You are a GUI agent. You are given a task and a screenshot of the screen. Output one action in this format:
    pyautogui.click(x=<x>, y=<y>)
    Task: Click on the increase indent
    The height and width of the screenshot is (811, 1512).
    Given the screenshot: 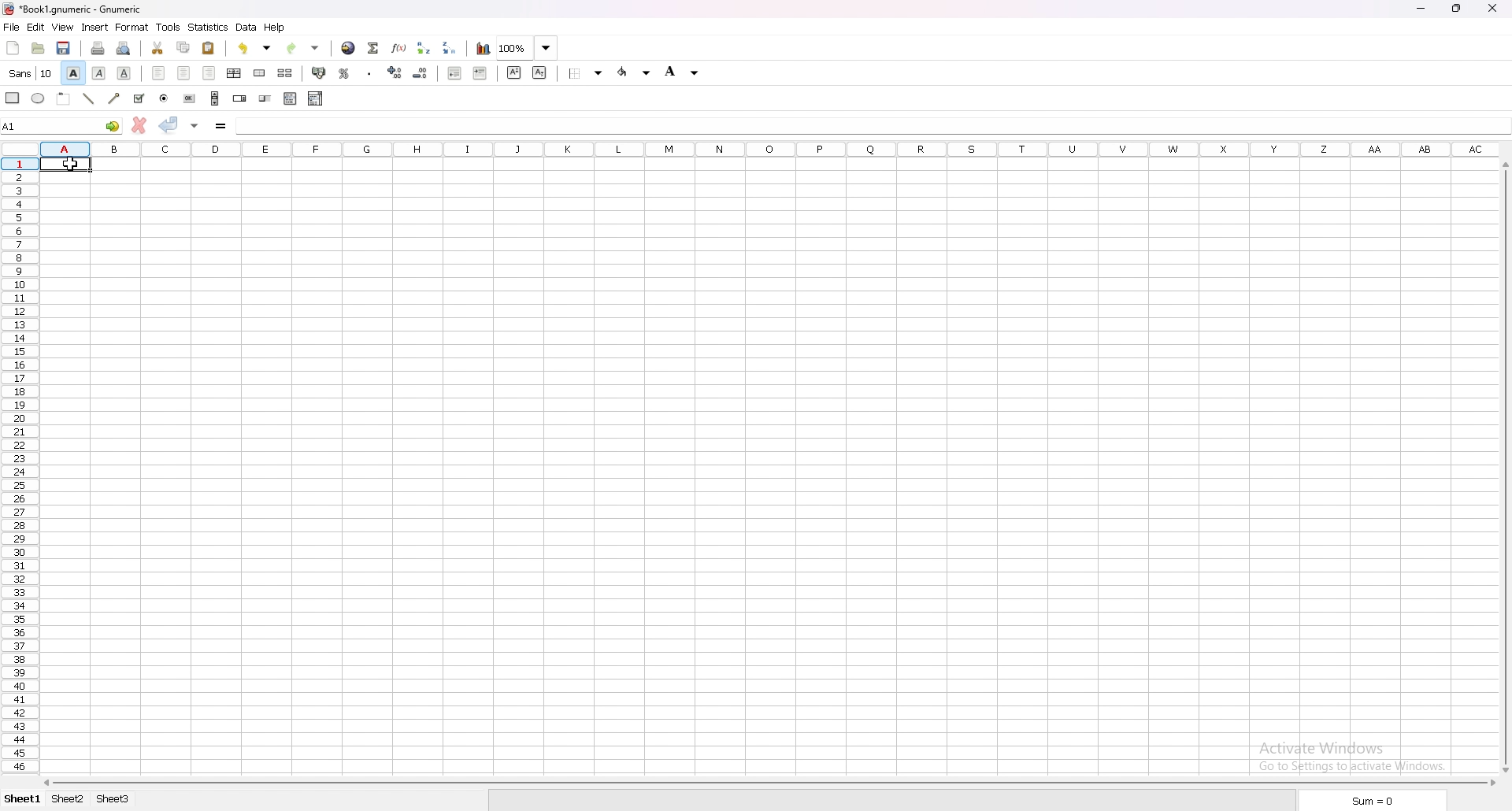 What is the action you would take?
    pyautogui.click(x=480, y=72)
    